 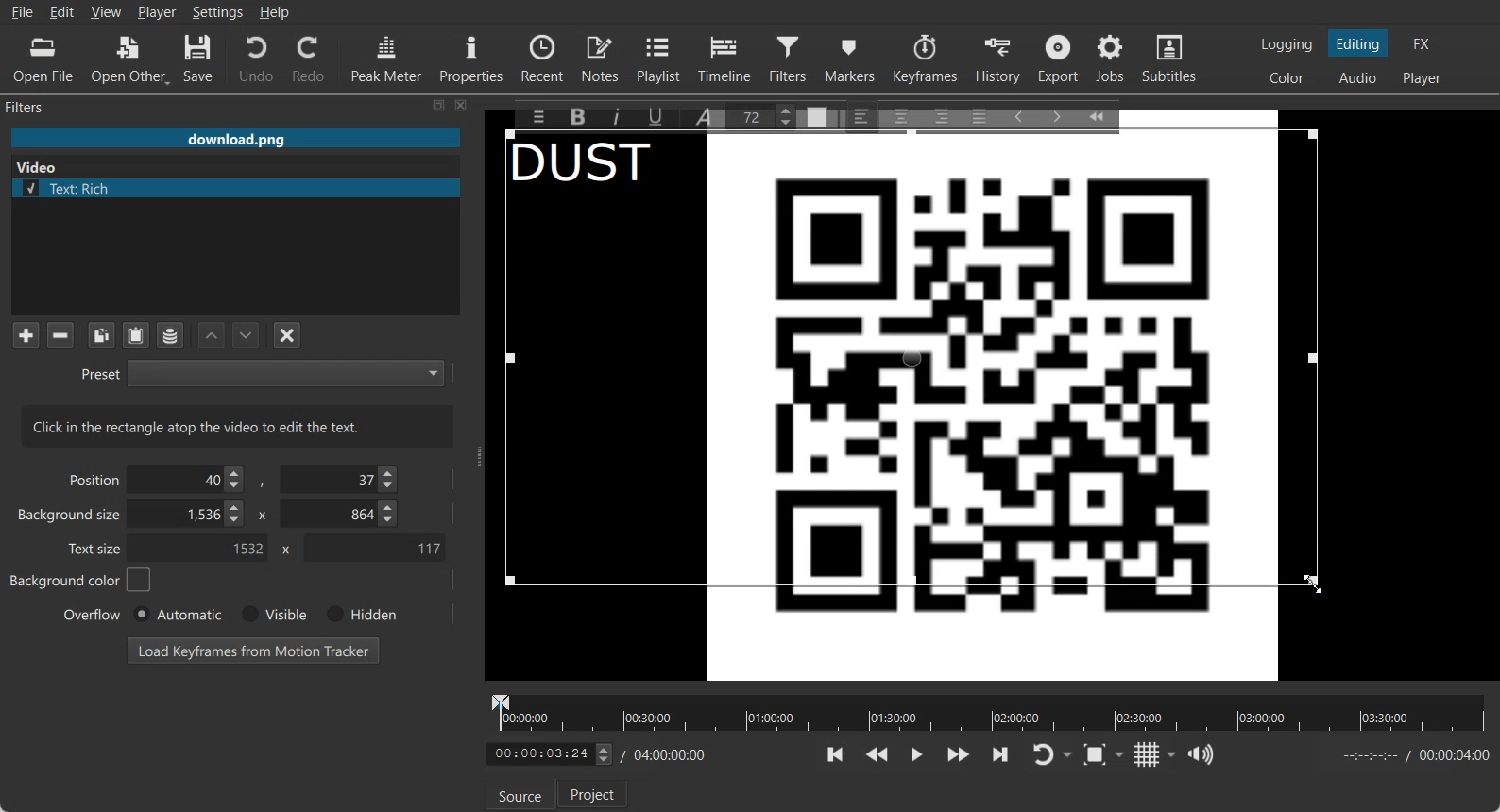 What do you see at coordinates (177, 614) in the screenshot?
I see `Automatic` at bounding box center [177, 614].